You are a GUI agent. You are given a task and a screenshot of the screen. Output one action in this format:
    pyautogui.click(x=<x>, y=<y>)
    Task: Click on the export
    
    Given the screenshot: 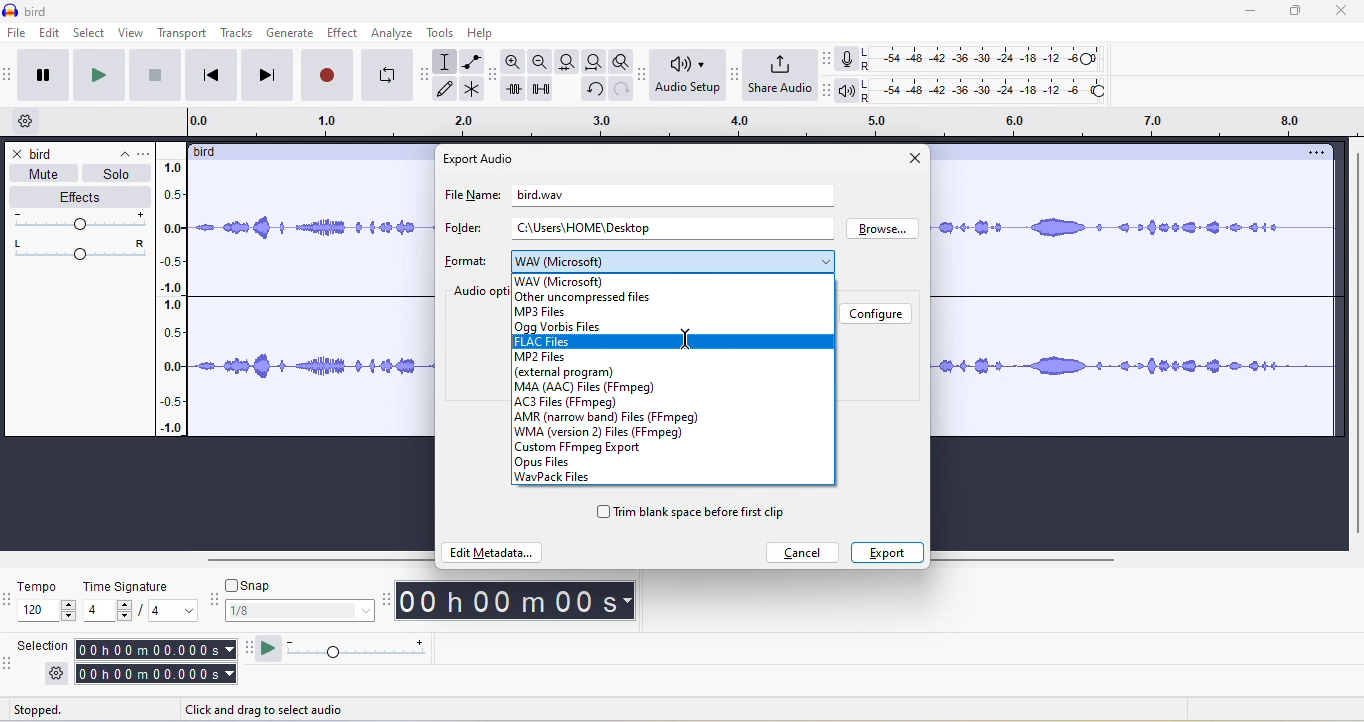 What is the action you would take?
    pyautogui.click(x=885, y=552)
    